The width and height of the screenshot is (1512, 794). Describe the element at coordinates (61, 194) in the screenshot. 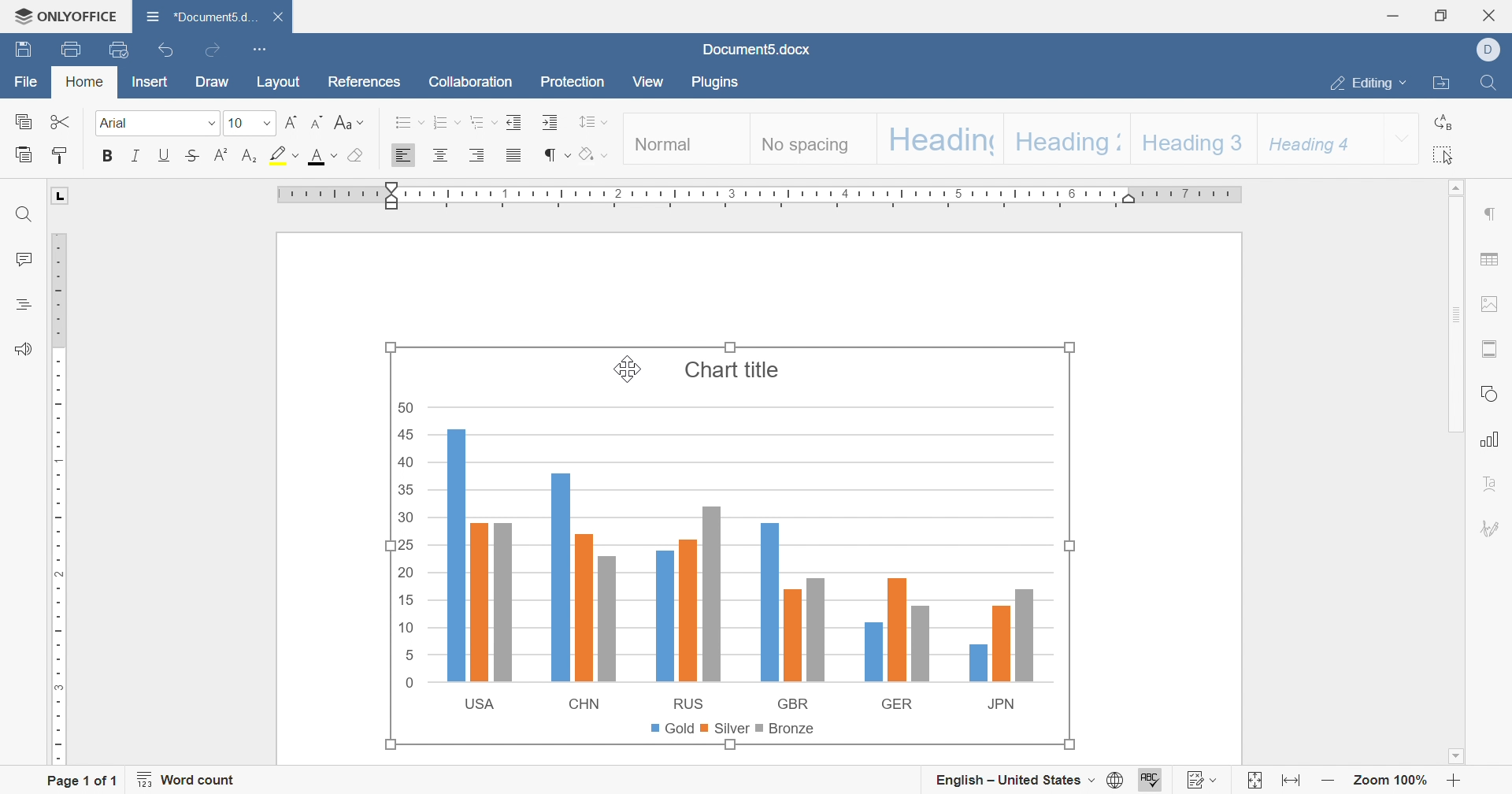

I see `L` at that location.